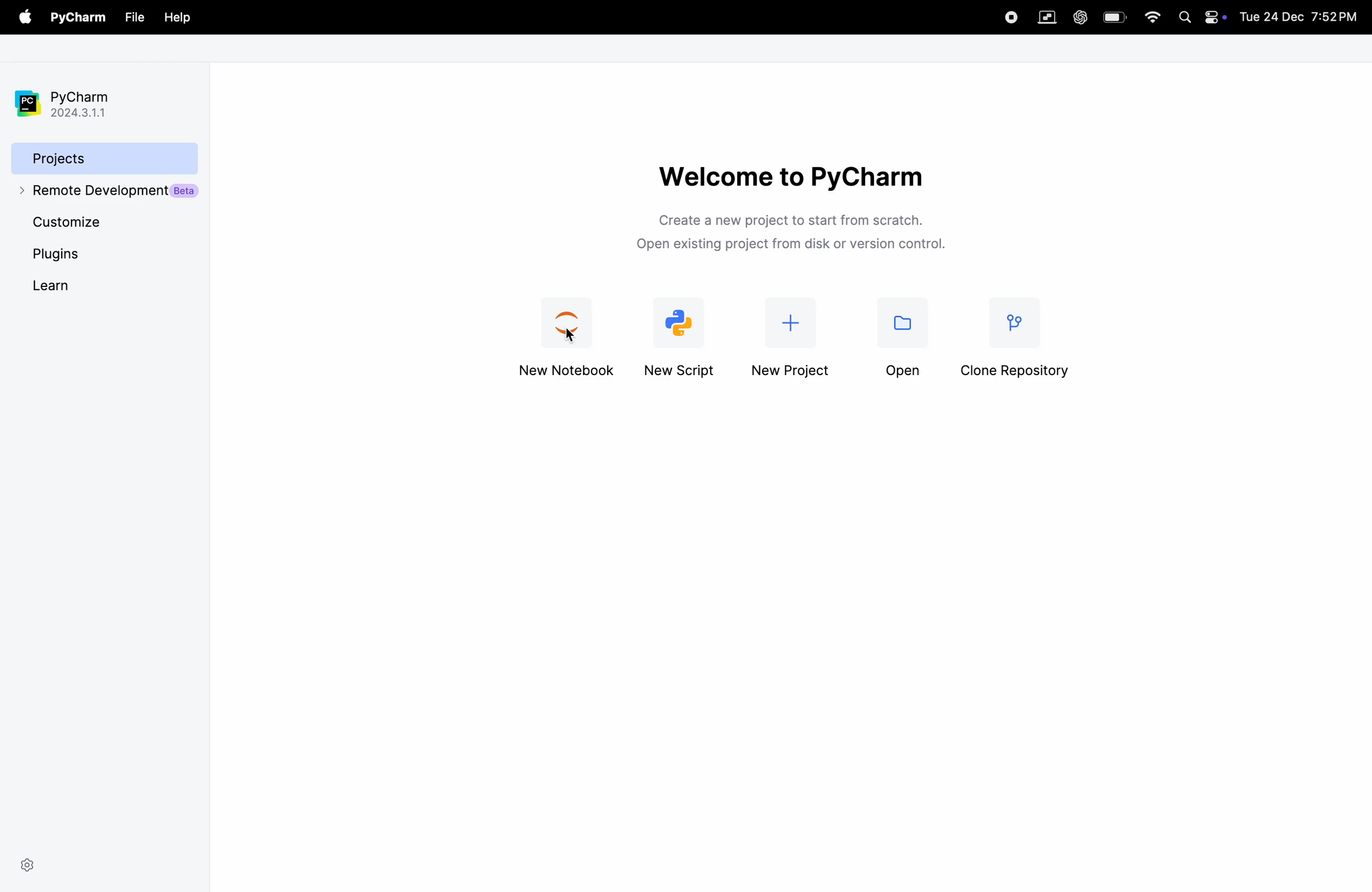 The height and width of the screenshot is (892, 1372). Describe the element at coordinates (22, 16) in the screenshot. I see `apple menu` at that location.